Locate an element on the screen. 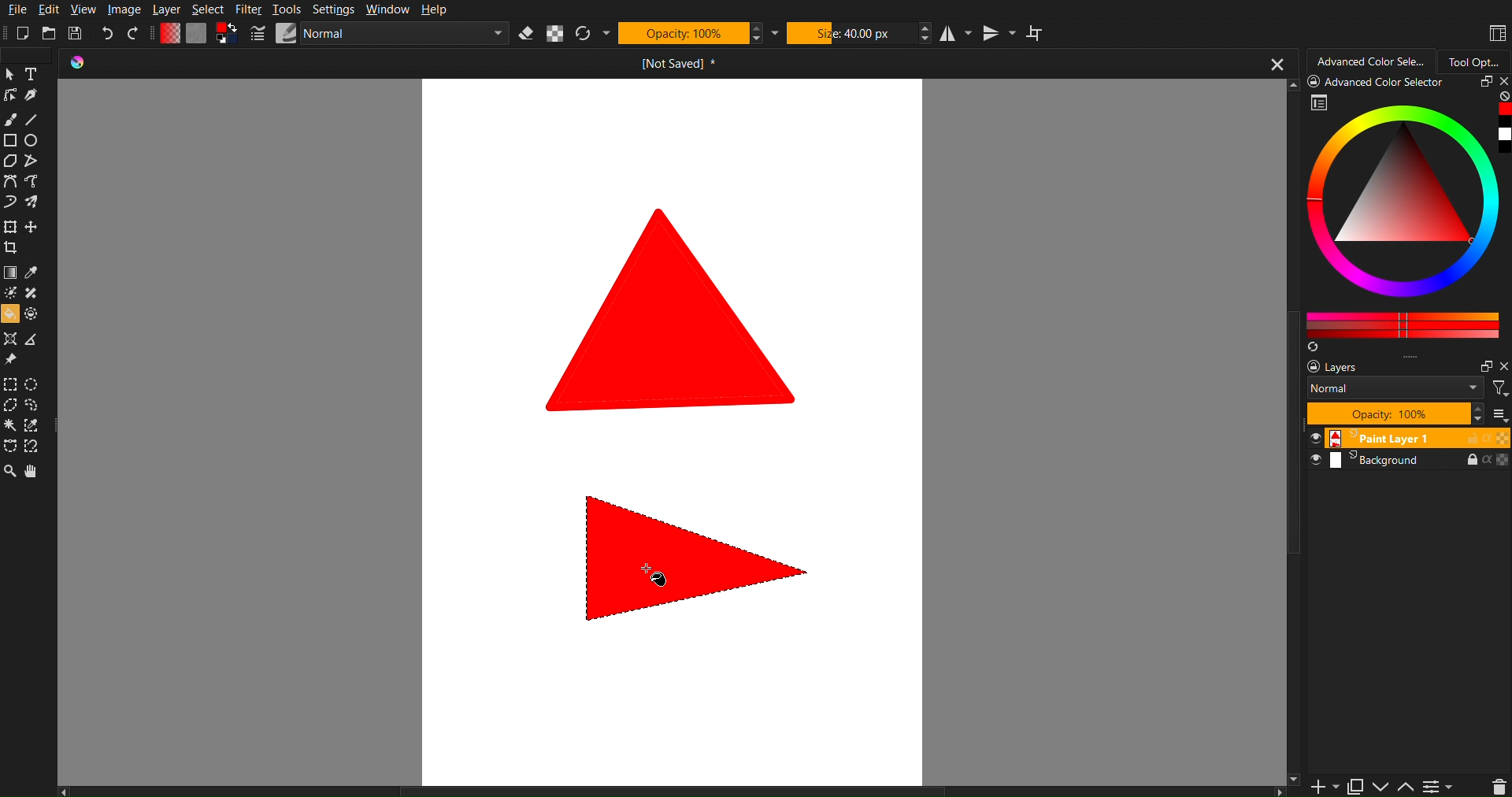 Image resolution: width=1512 pixels, height=797 pixels. Vertical Mirror is located at coordinates (997, 34).